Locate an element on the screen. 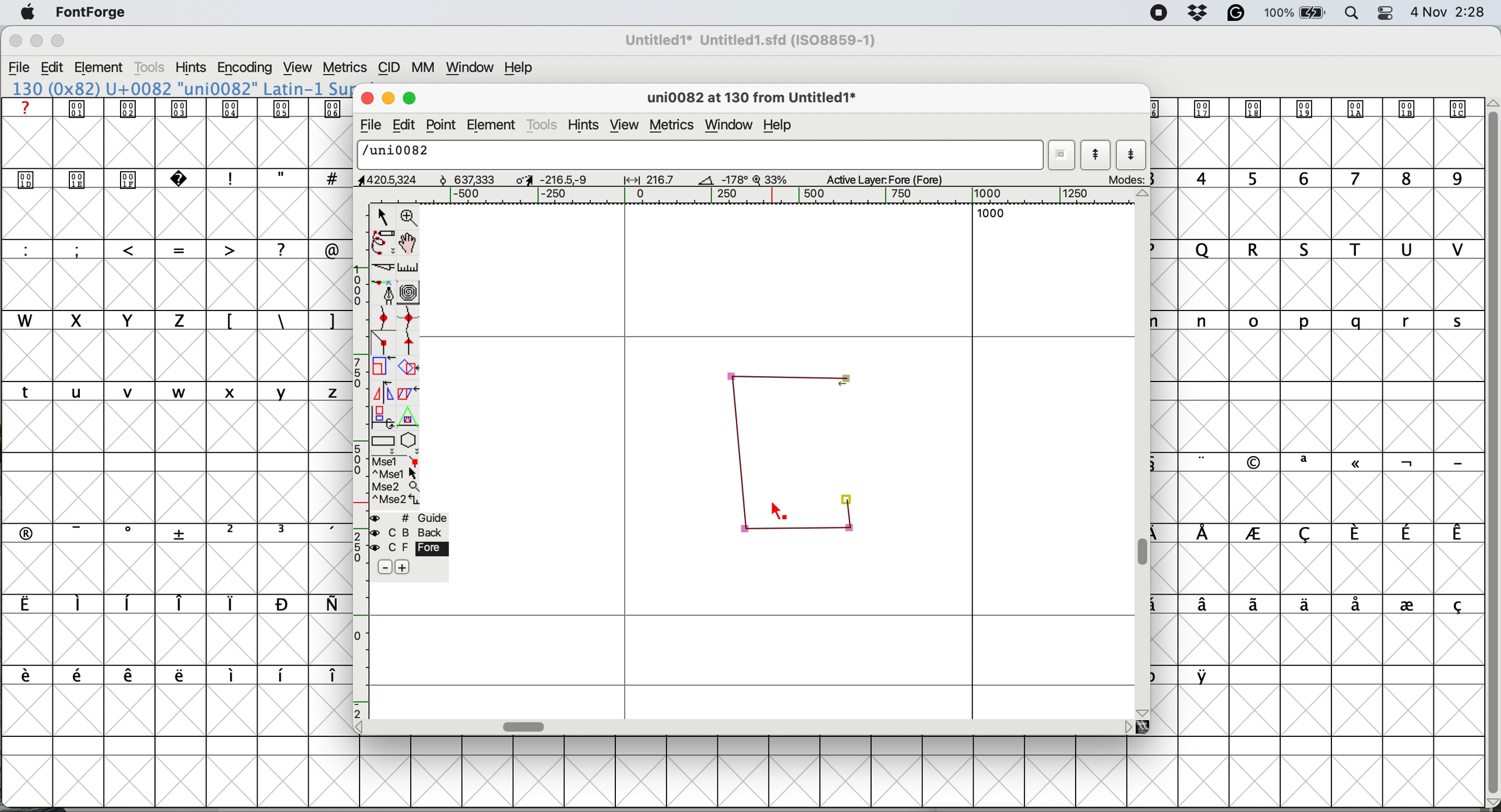 Image resolution: width=1501 pixels, height=812 pixels. symbol is located at coordinates (1313, 108).